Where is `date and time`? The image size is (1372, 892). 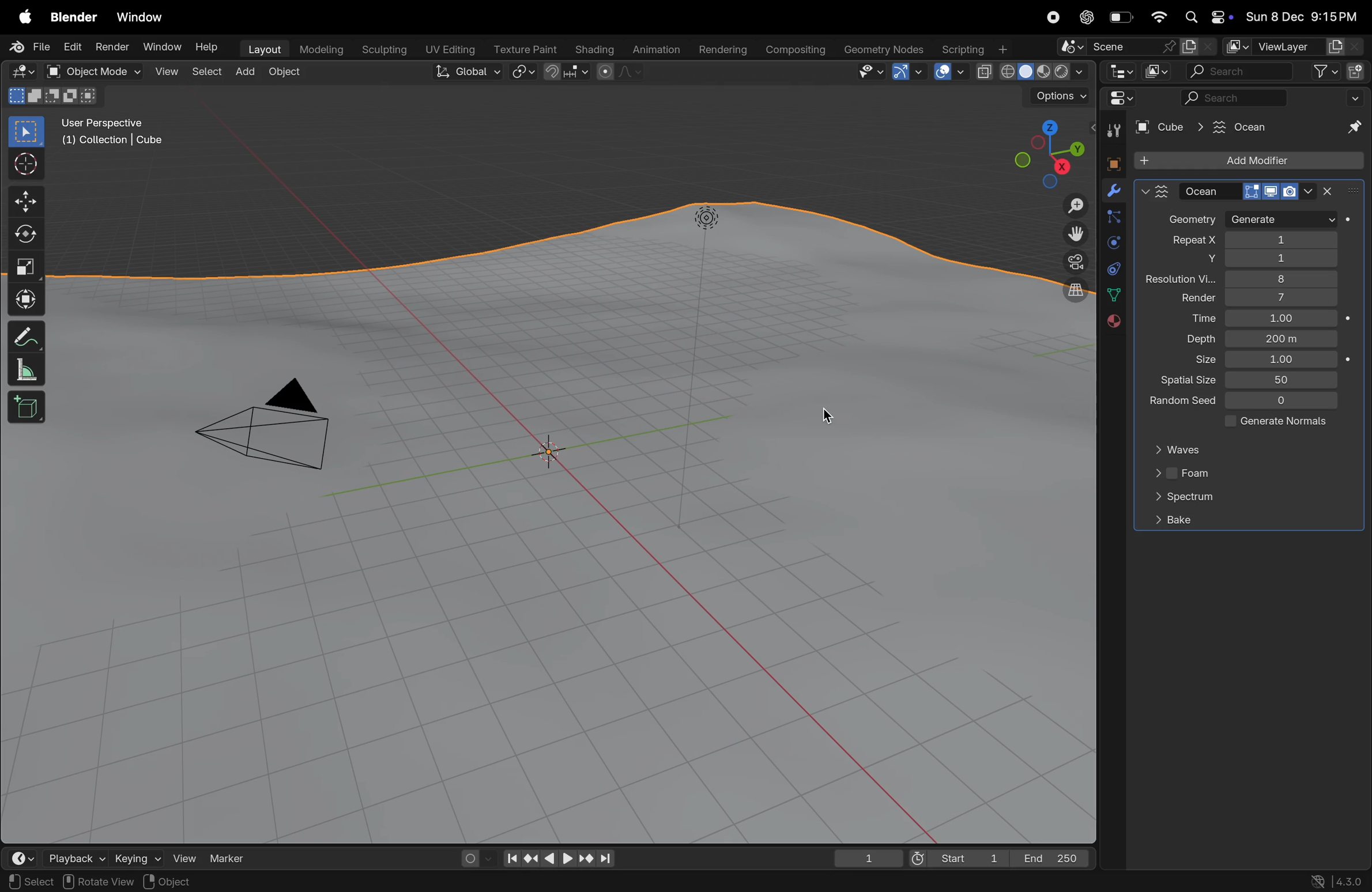
date and time is located at coordinates (1302, 18).